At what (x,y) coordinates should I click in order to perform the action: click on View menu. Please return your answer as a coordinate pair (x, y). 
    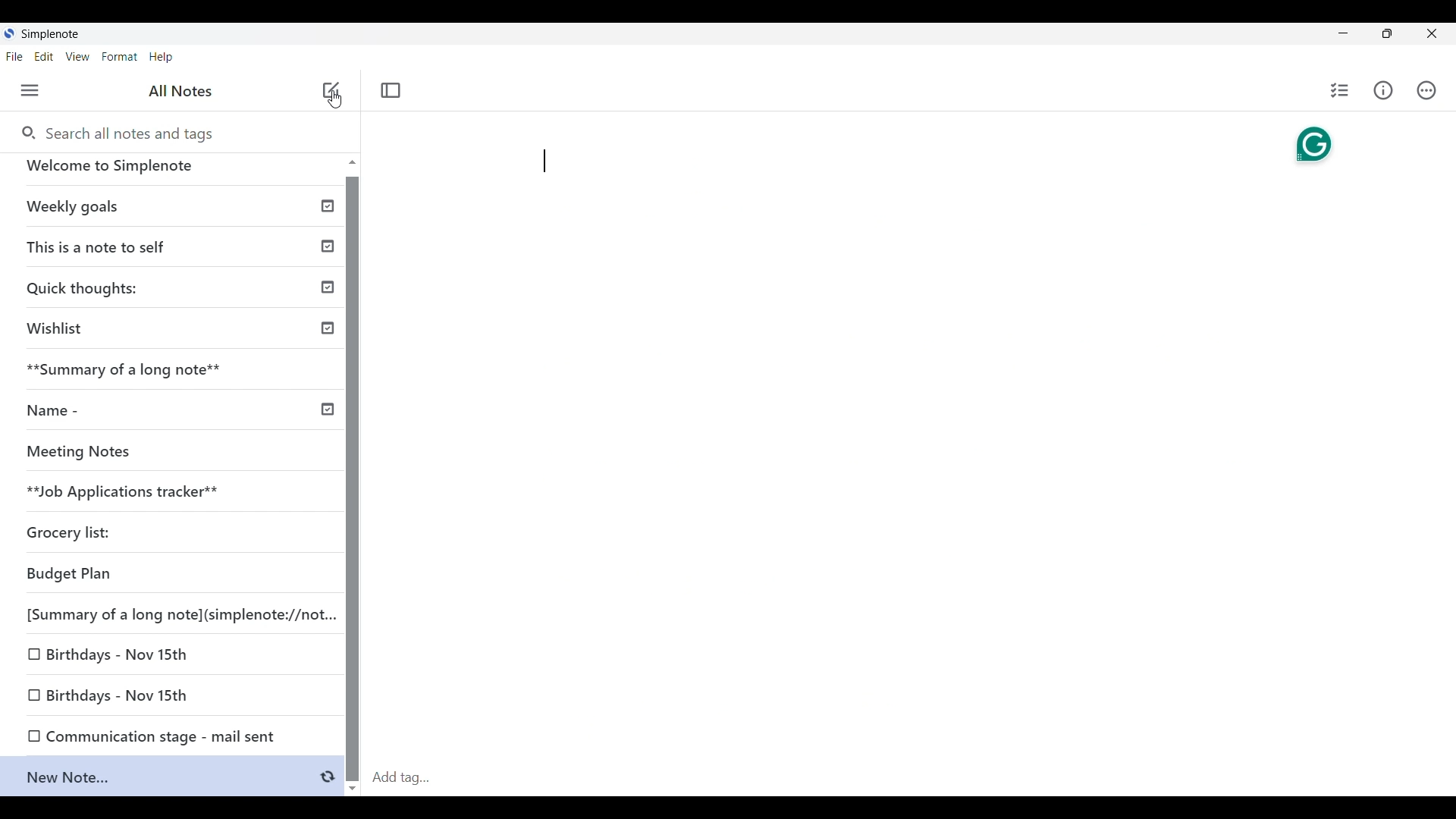
    Looking at the image, I should click on (78, 56).